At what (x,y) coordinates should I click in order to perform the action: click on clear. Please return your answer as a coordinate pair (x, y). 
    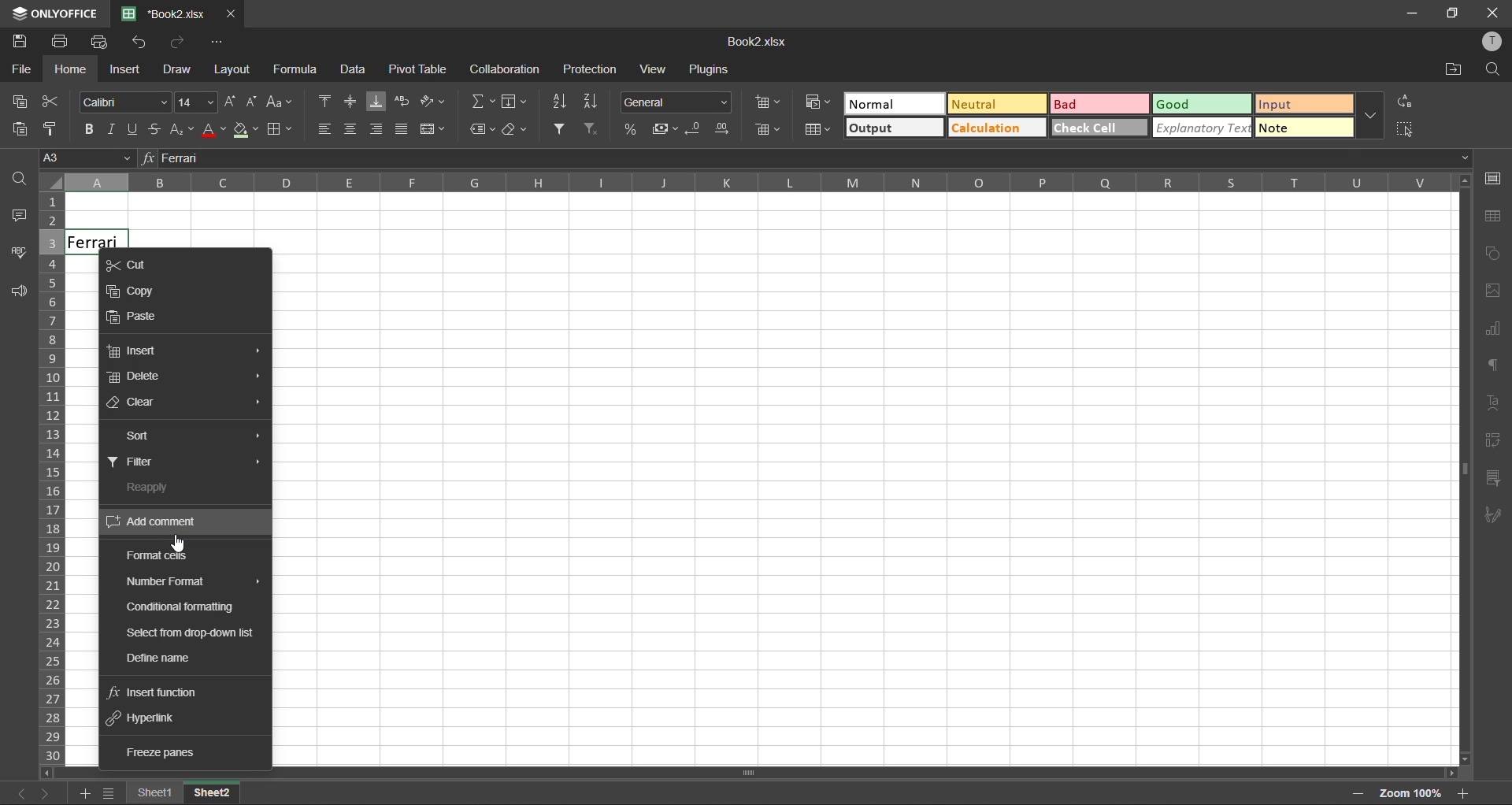
    Looking at the image, I should click on (138, 406).